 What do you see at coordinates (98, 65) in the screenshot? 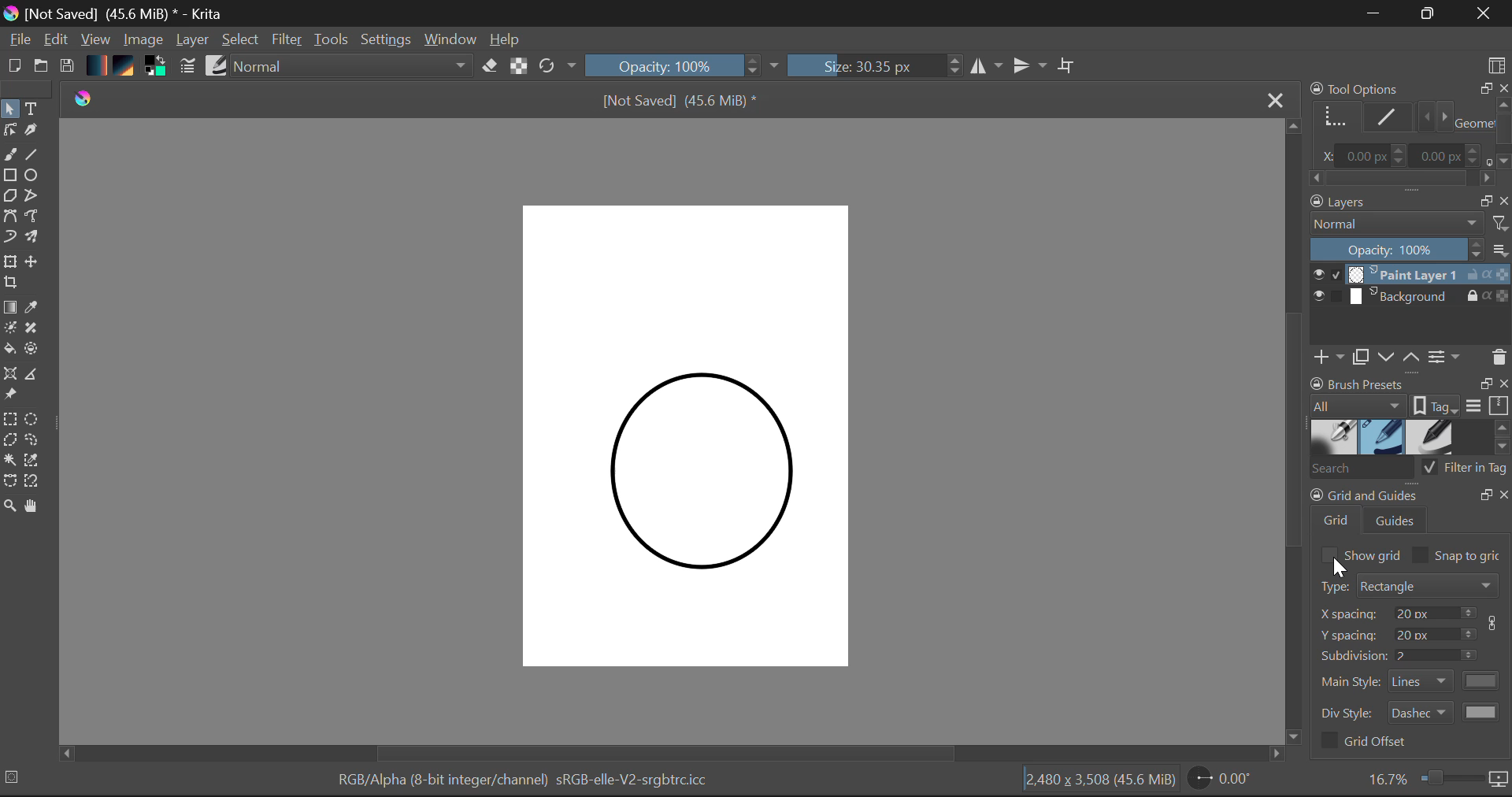
I see `Gradient` at bounding box center [98, 65].